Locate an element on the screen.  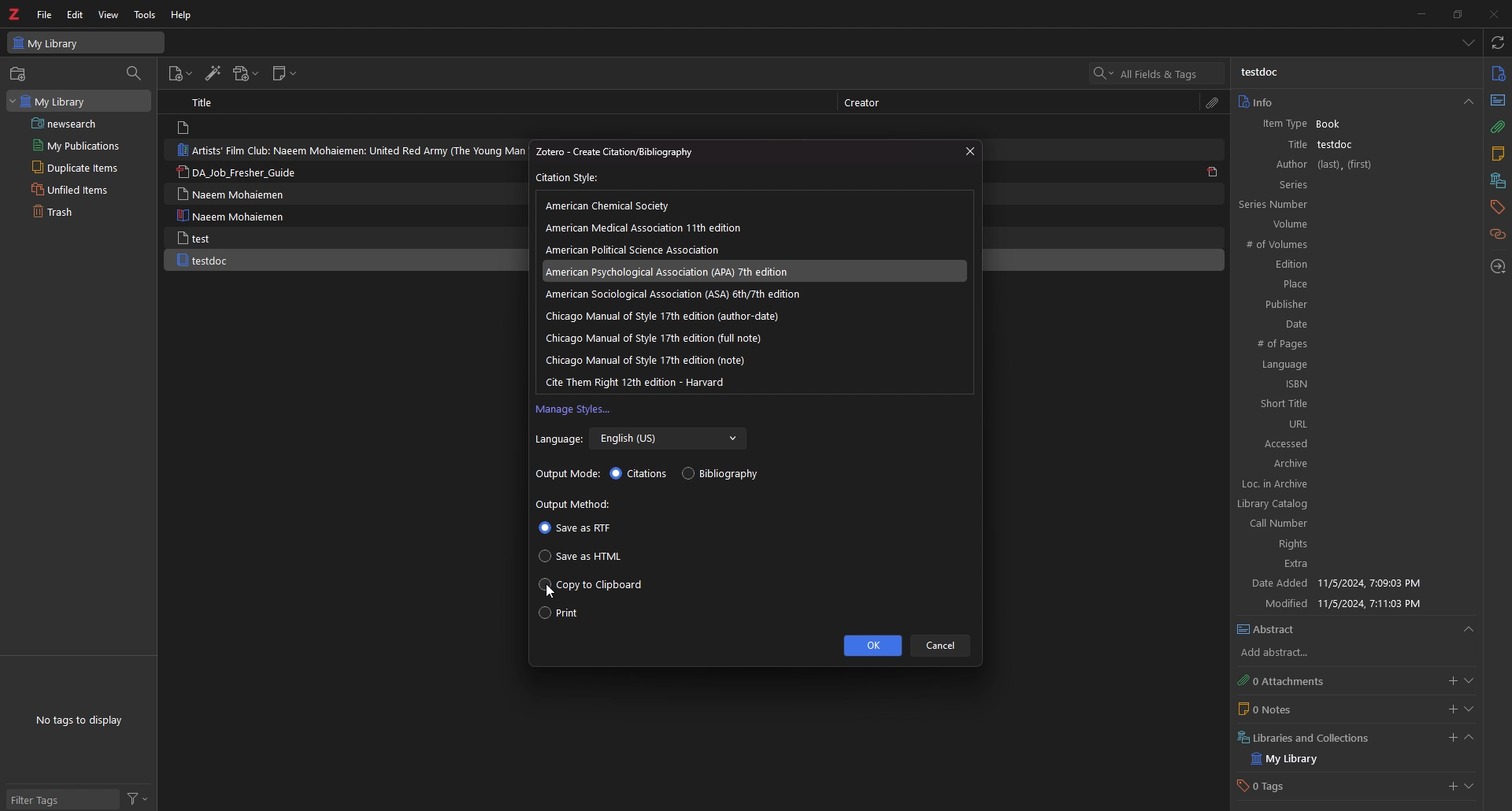
filter is located at coordinates (138, 799).